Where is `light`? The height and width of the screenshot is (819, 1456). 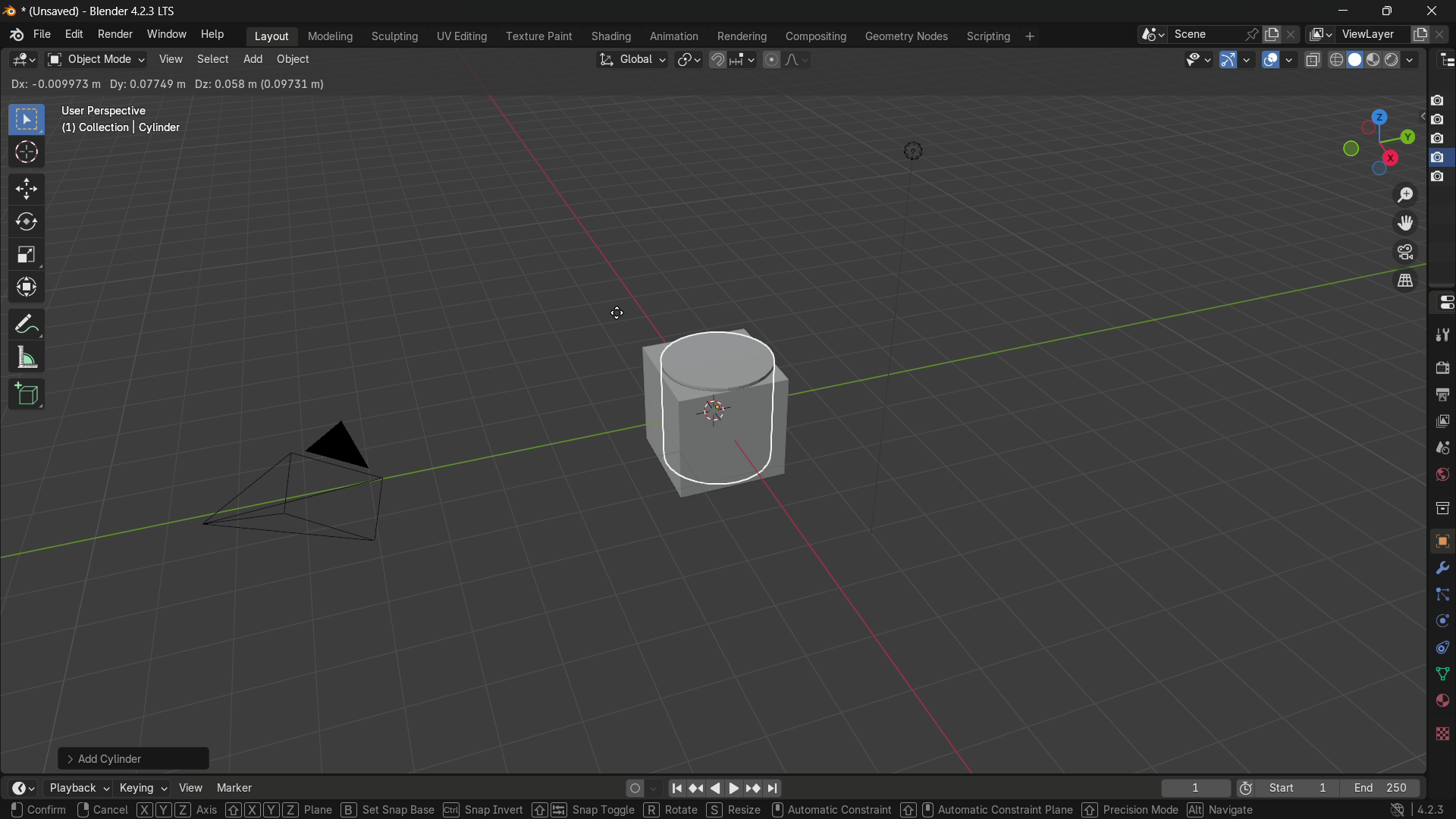
light is located at coordinates (908, 154).